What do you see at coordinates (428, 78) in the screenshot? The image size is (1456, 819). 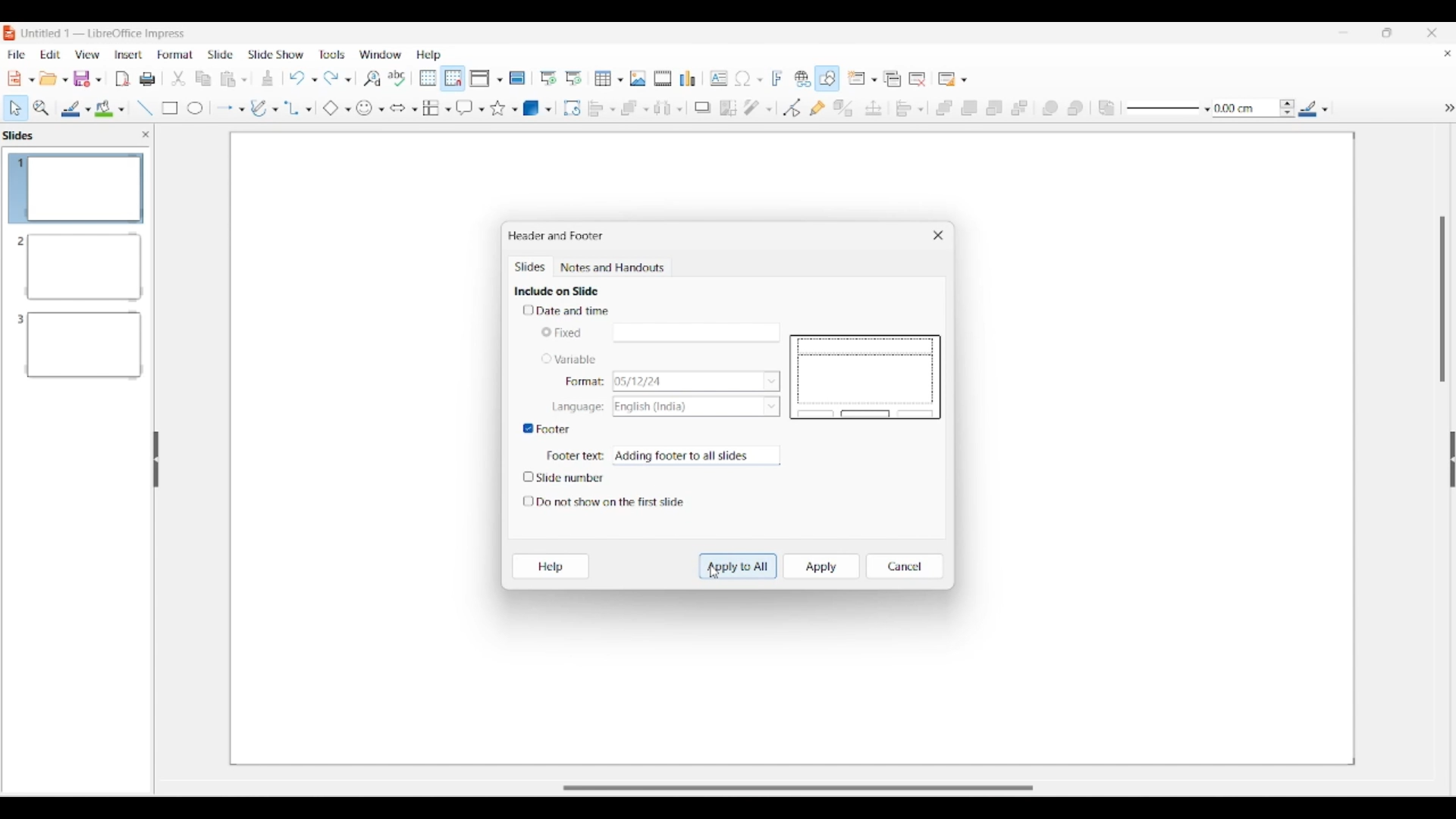 I see `Display grid` at bounding box center [428, 78].